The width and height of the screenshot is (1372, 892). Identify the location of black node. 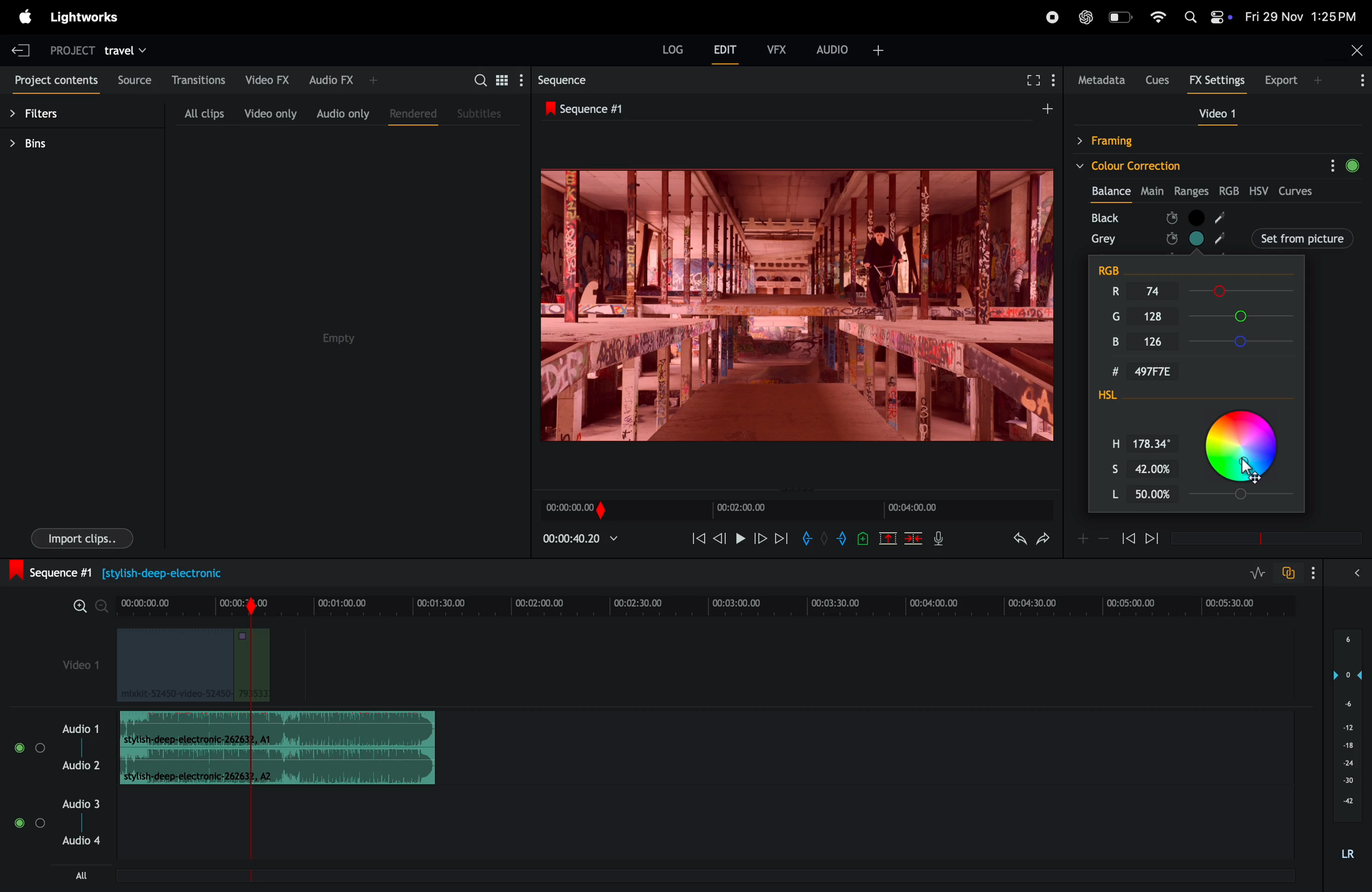
(1261, 217).